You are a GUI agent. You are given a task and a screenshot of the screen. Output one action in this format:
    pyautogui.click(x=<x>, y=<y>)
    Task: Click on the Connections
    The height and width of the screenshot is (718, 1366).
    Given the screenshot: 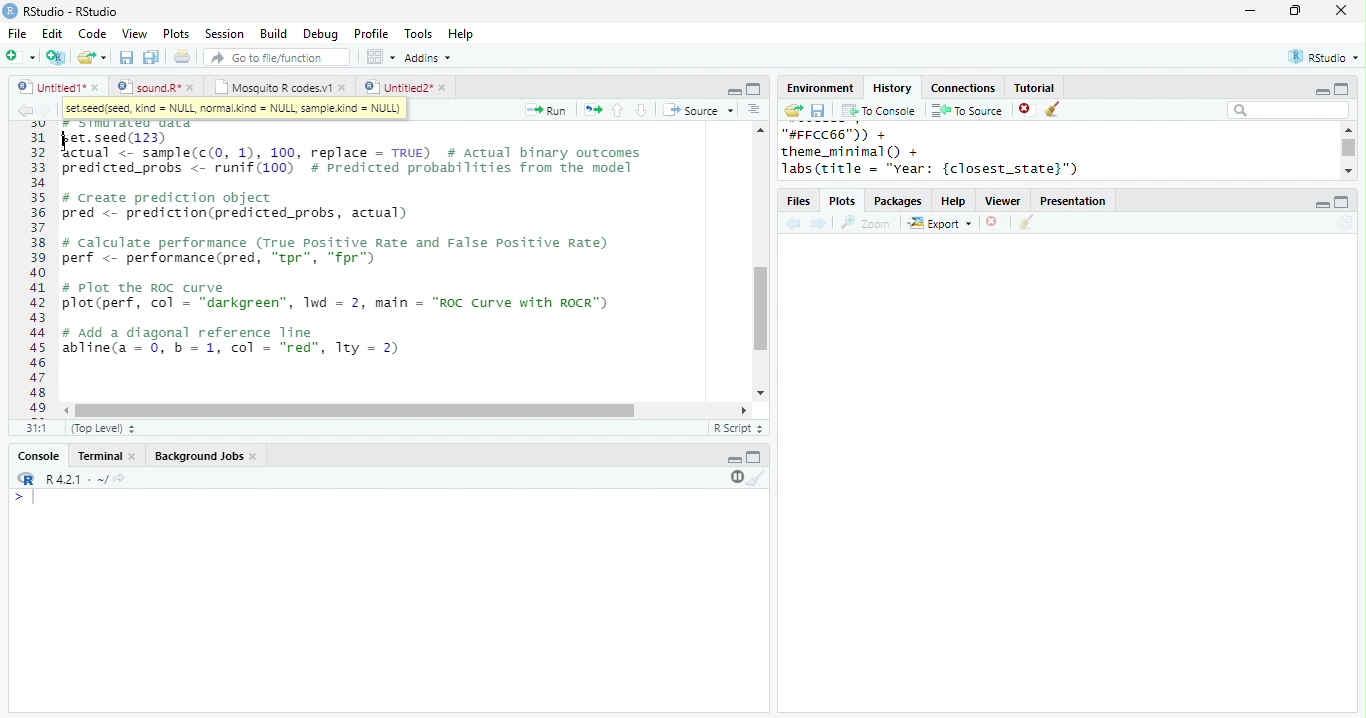 What is the action you would take?
    pyautogui.click(x=962, y=88)
    